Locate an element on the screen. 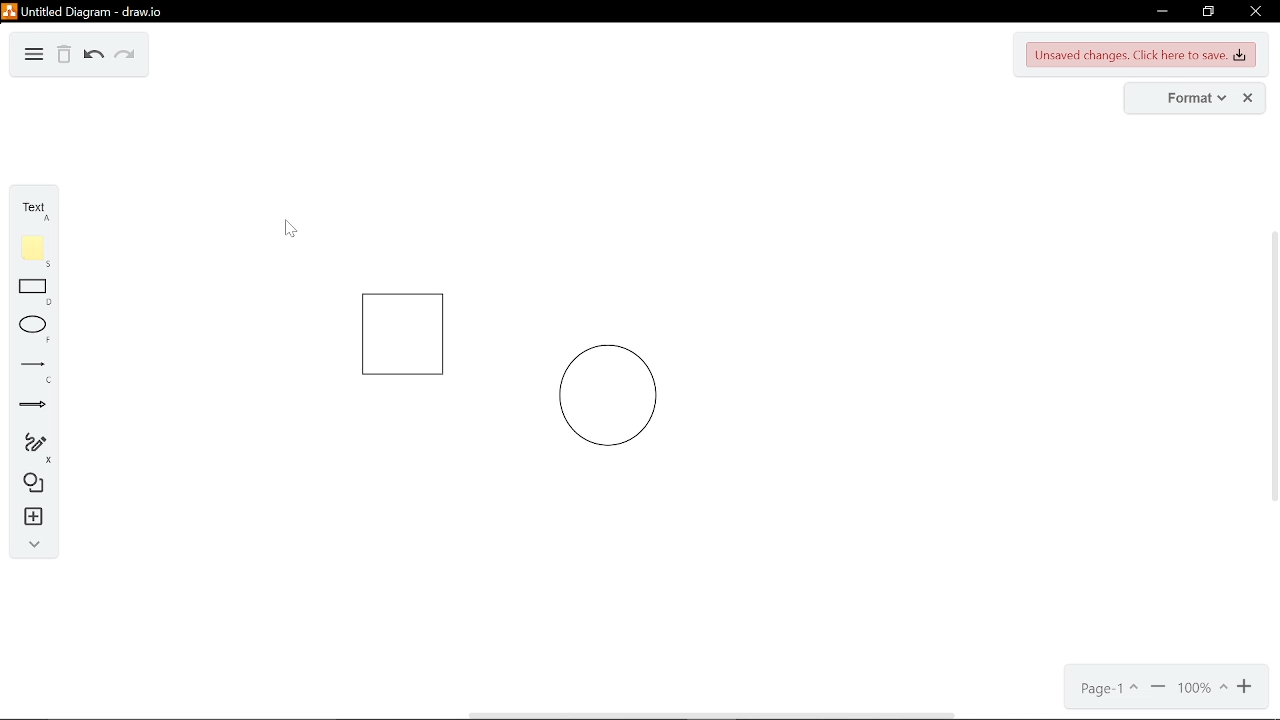  logo is located at coordinates (9, 10).